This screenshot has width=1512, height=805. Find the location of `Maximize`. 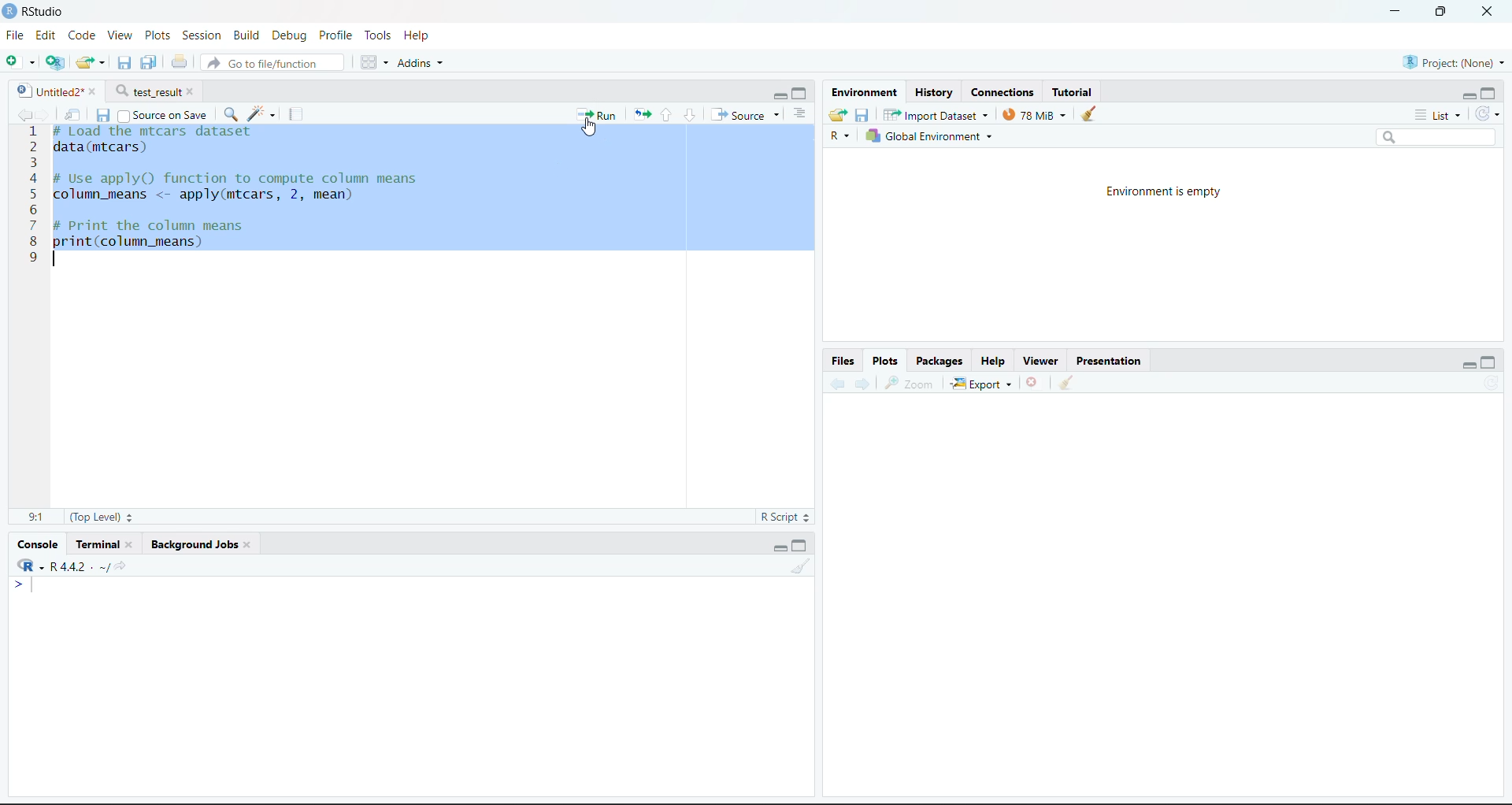

Maximize is located at coordinates (1490, 91).